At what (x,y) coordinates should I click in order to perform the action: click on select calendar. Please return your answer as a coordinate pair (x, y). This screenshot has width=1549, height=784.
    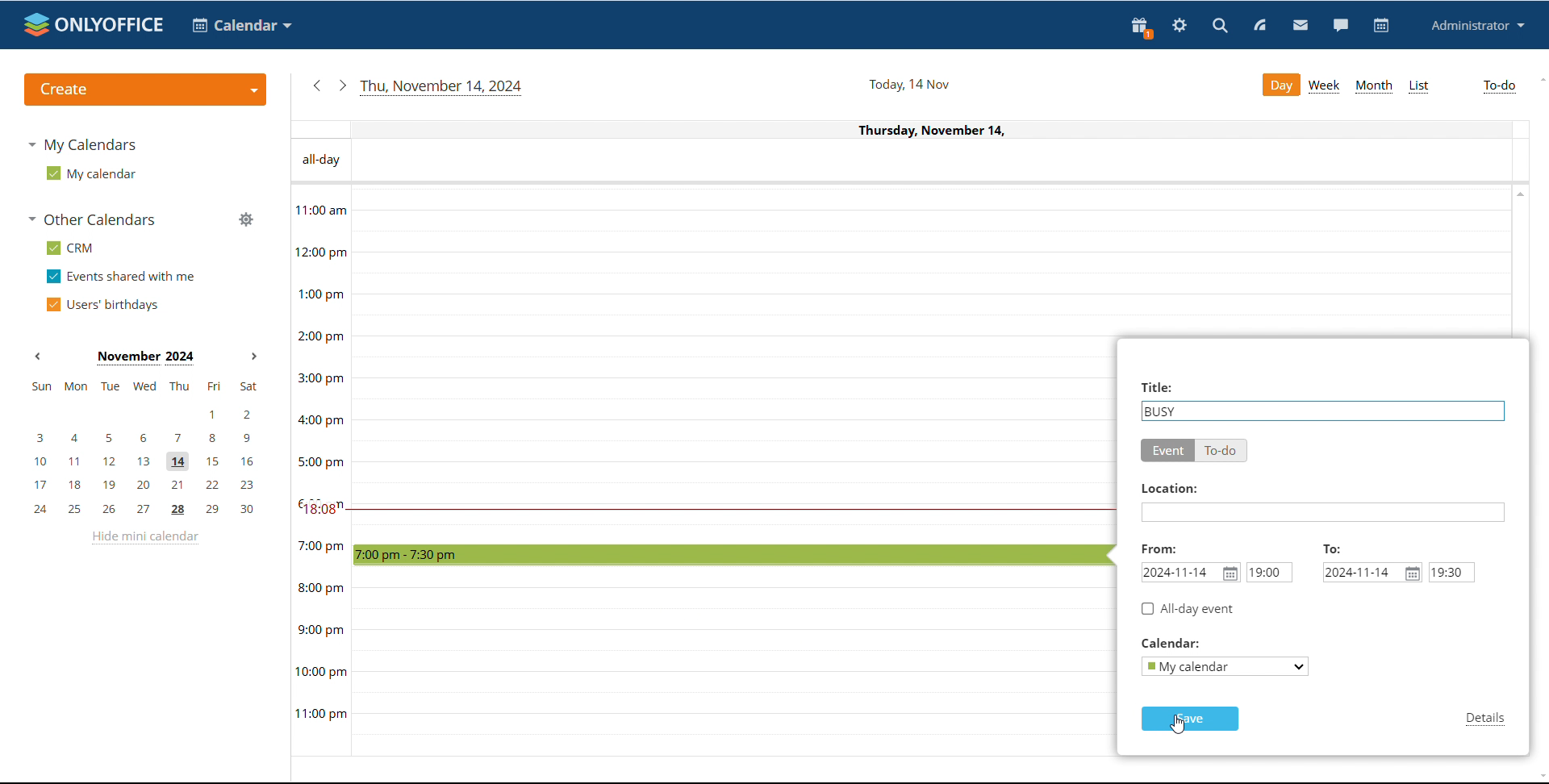
    Looking at the image, I should click on (1226, 666).